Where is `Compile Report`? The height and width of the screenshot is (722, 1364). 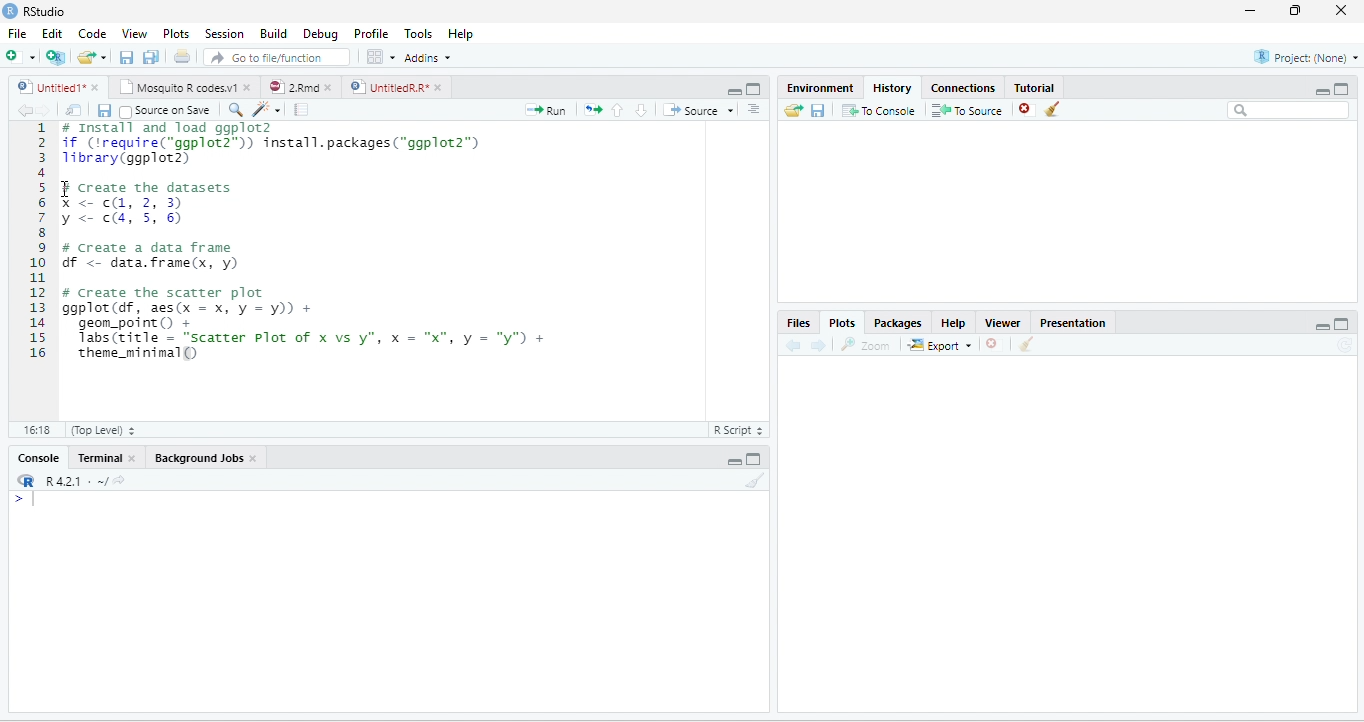
Compile Report is located at coordinates (301, 110).